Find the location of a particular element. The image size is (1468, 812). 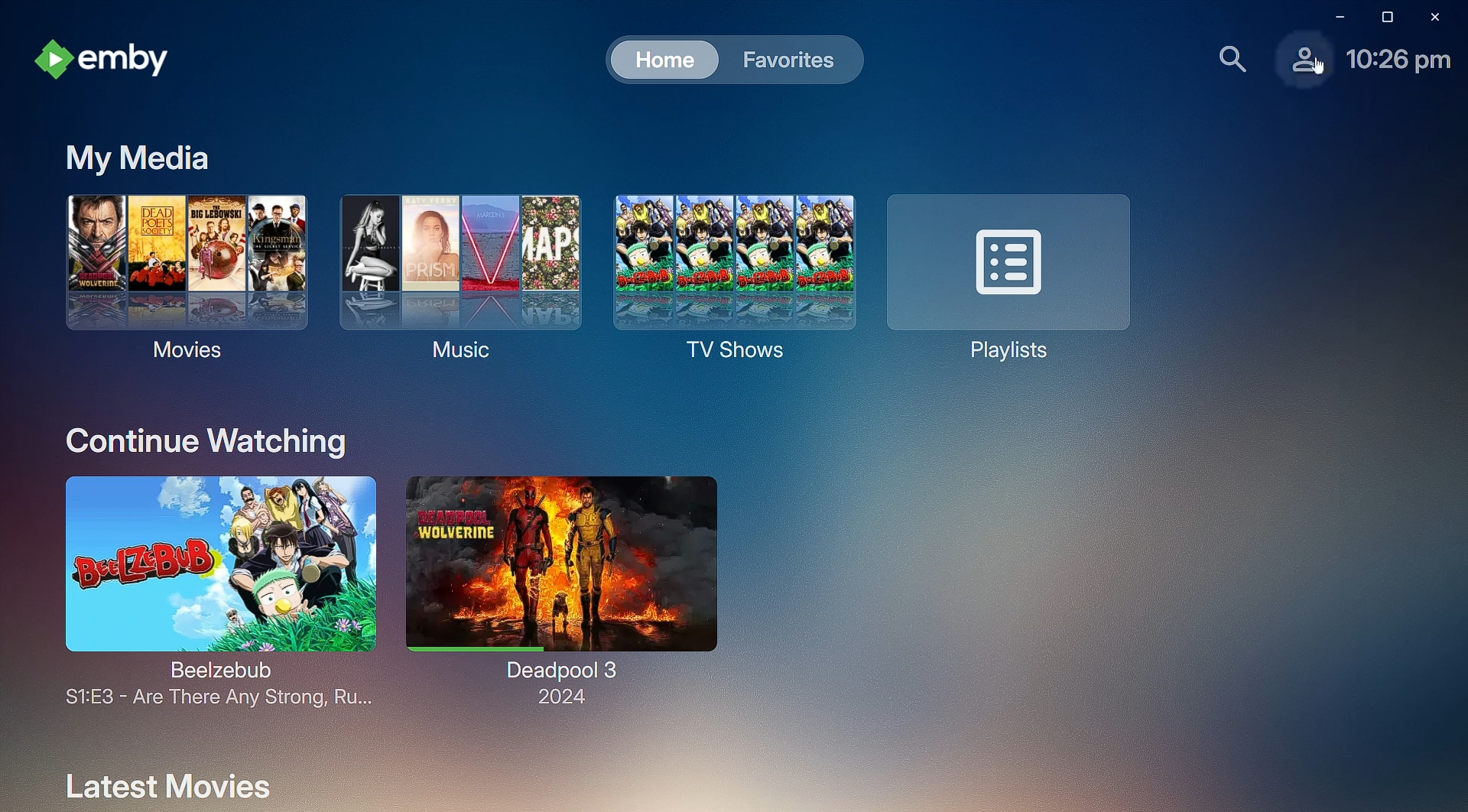

Home is located at coordinates (654, 58).